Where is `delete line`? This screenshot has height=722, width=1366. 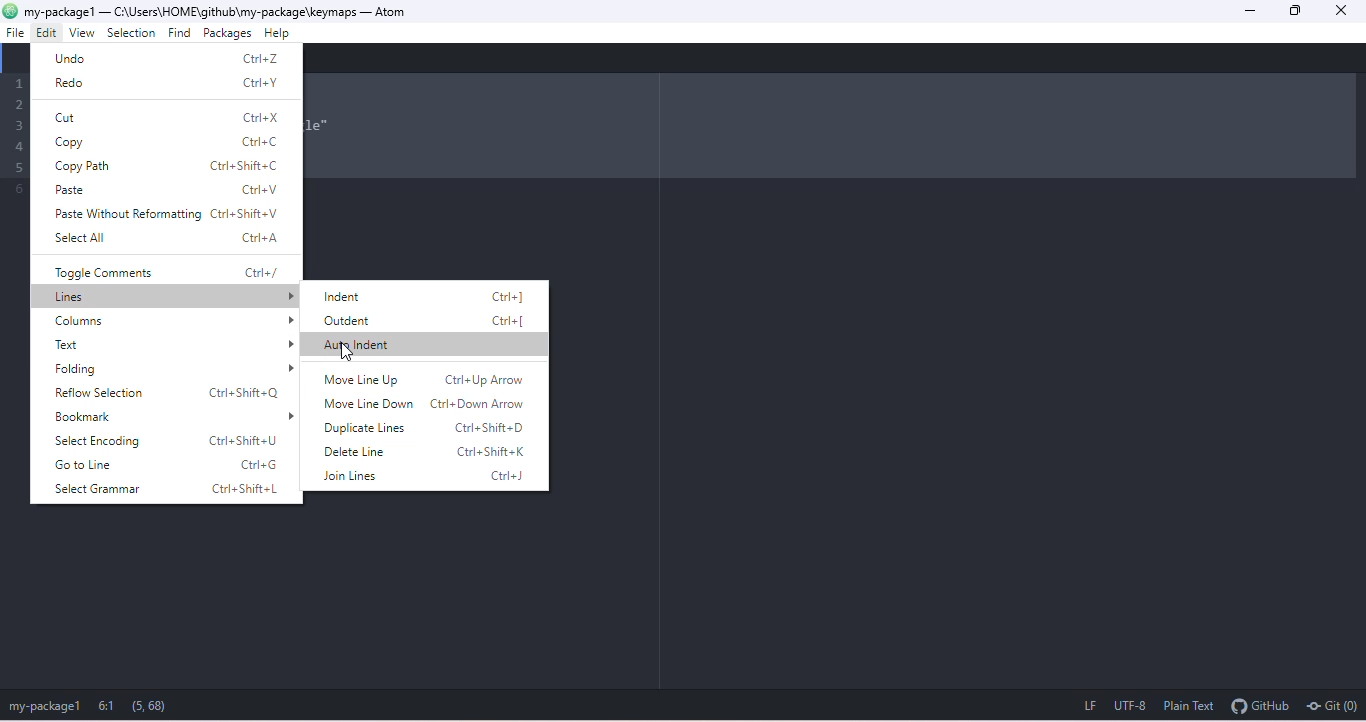 delete line is located at coordinates (428, 452).